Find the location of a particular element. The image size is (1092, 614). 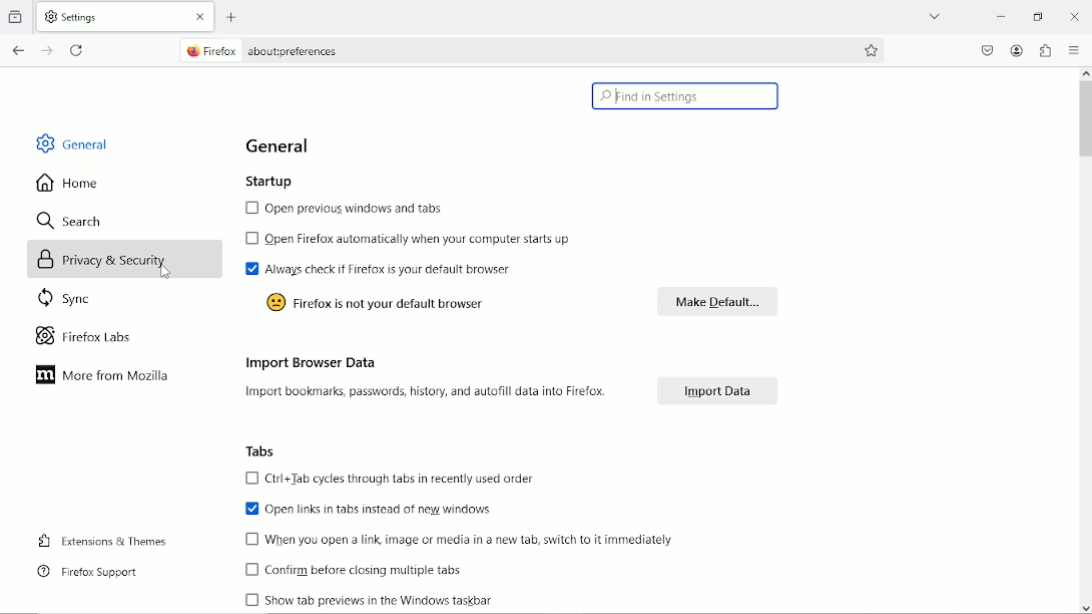

search is located at coordinates (70, 220).